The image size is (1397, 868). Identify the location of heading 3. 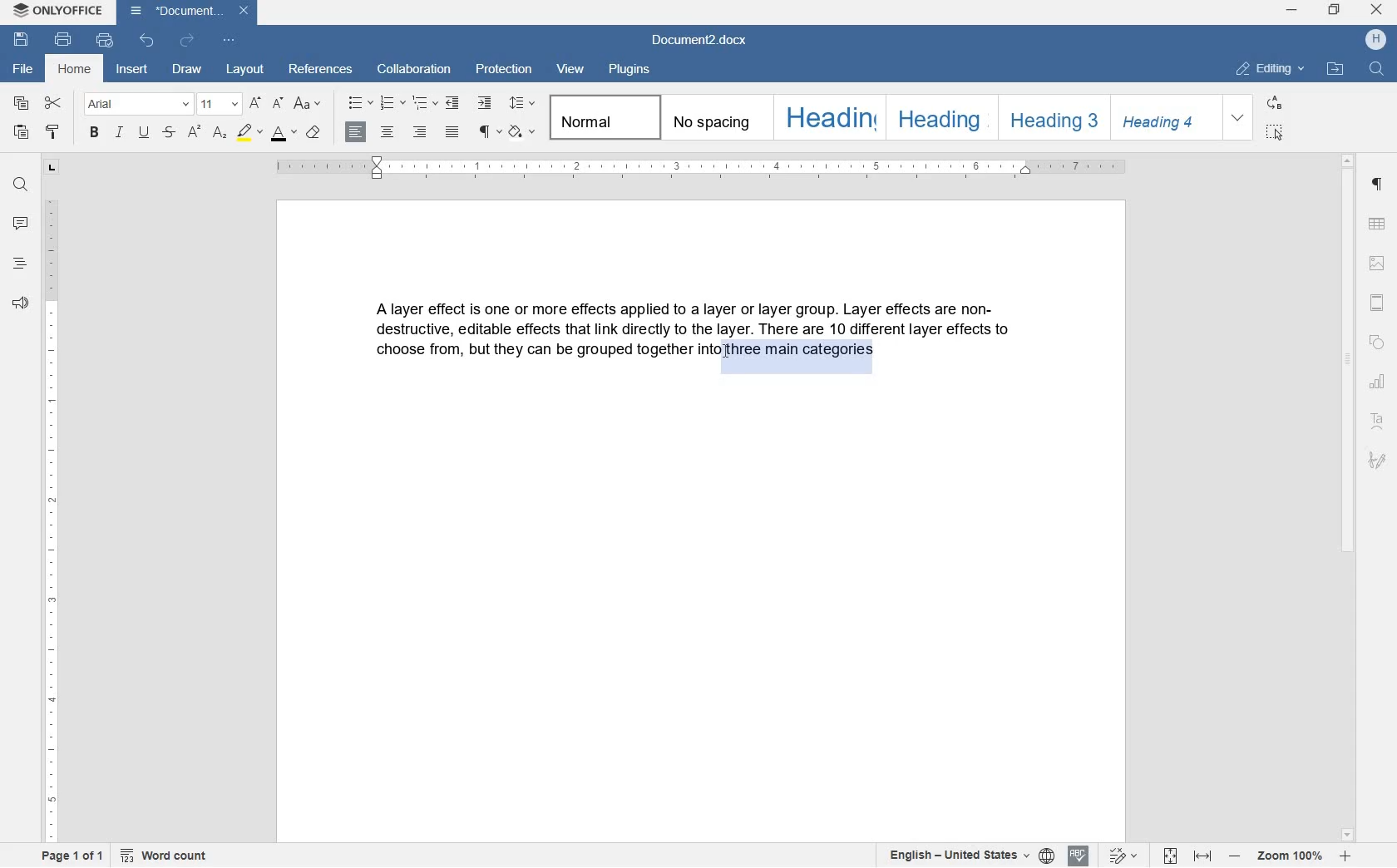
(1049, 116).